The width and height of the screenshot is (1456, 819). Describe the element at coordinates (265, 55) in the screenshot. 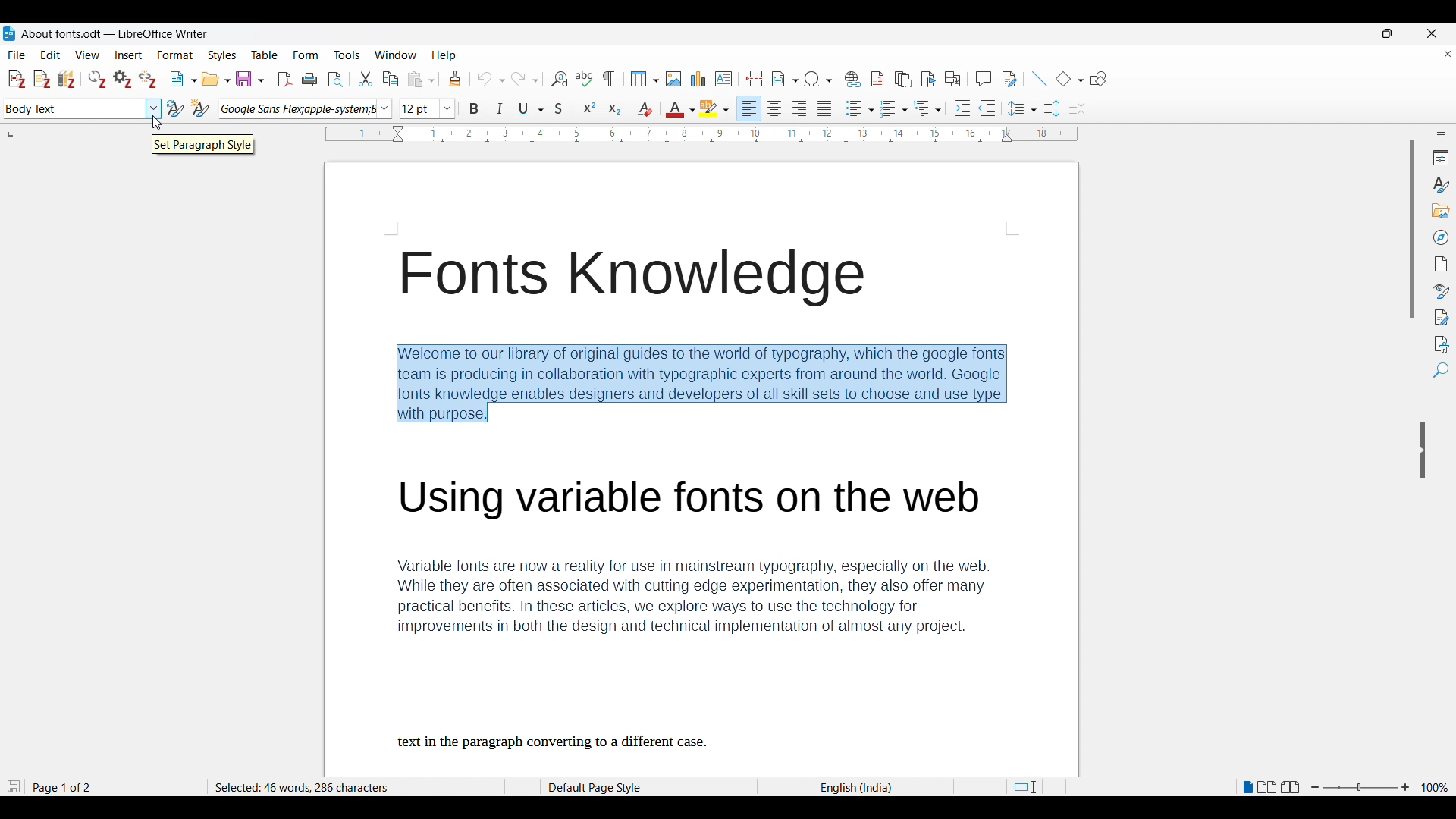

I see `Table menu` at that location.